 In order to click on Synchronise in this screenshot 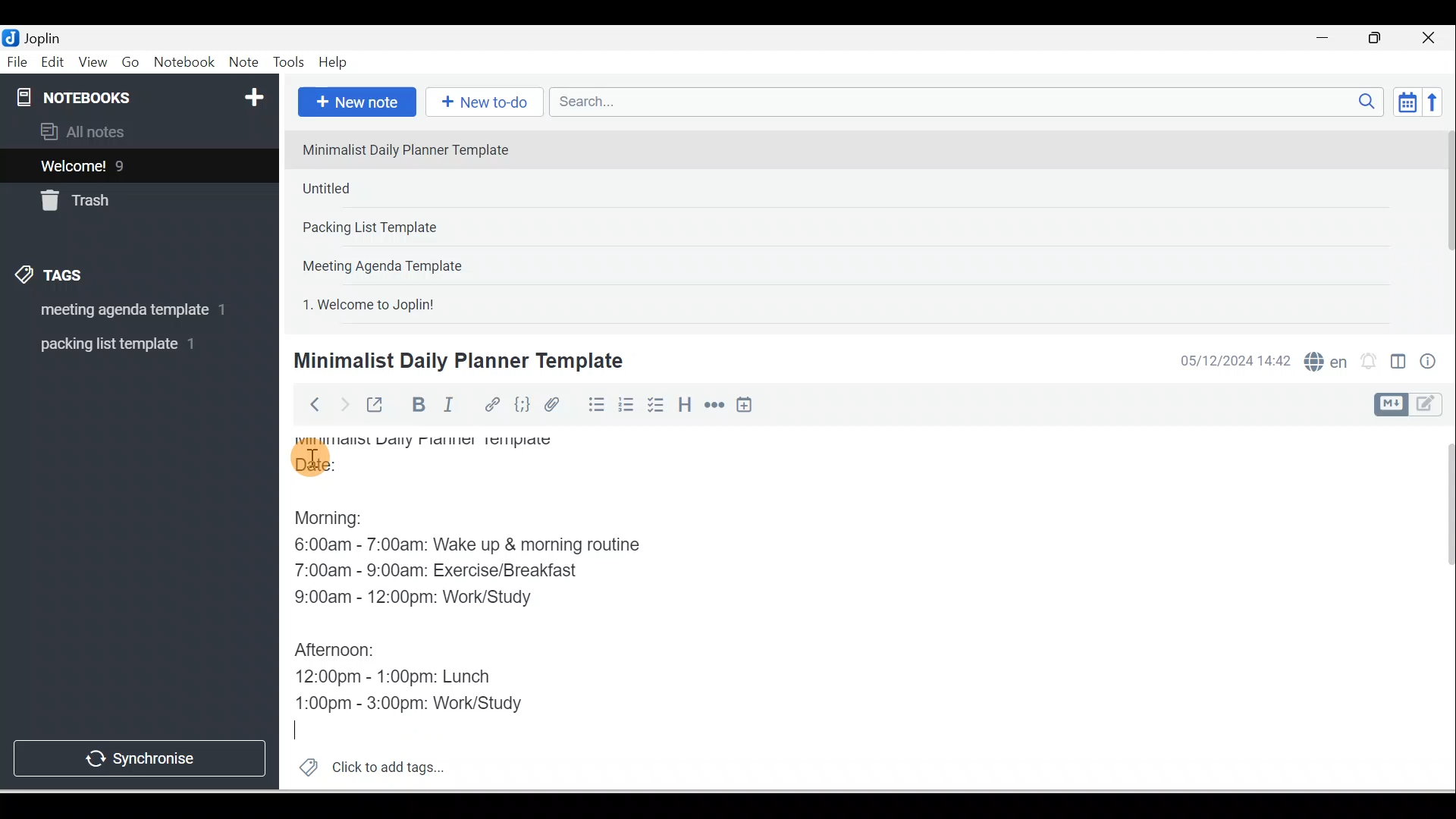, I will do `click(138, 755)`.